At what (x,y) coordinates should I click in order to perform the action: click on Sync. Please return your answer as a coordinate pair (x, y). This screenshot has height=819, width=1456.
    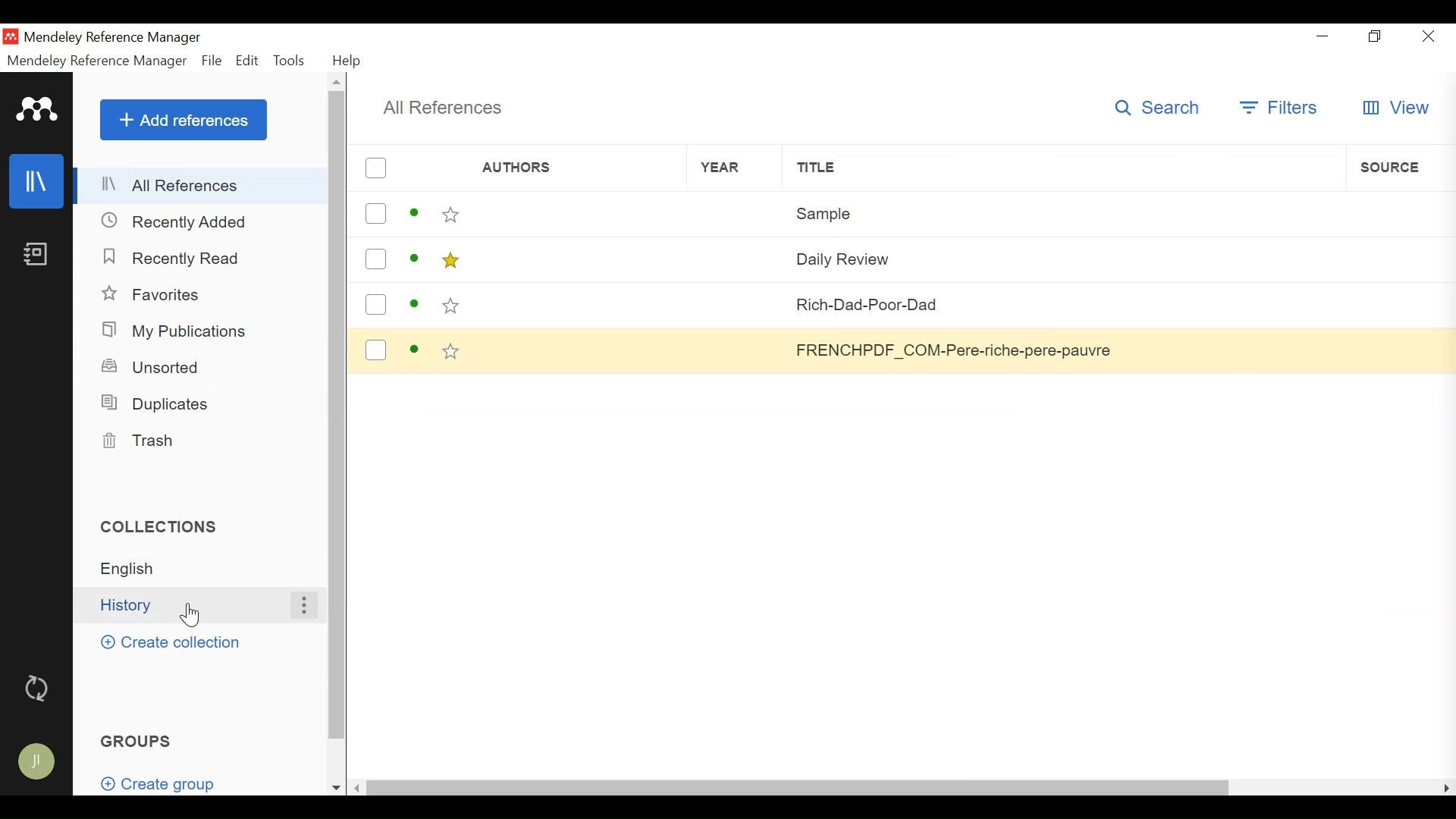
    Looking at the image, I should click on (38, 686).